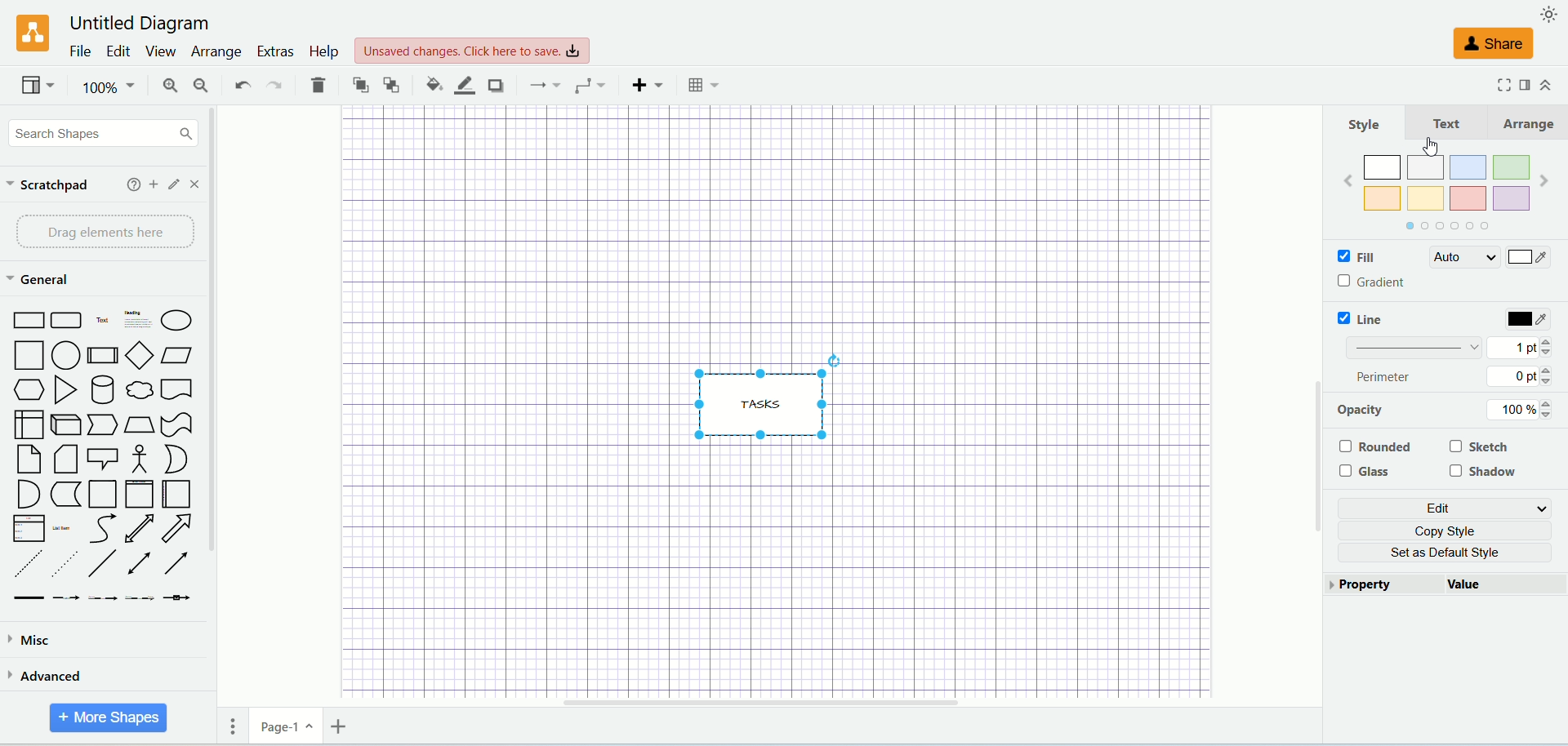  What do you see at coordinates (472, 51) in the screenshot?
I see `click here to save` at bounding box center [472, 51].